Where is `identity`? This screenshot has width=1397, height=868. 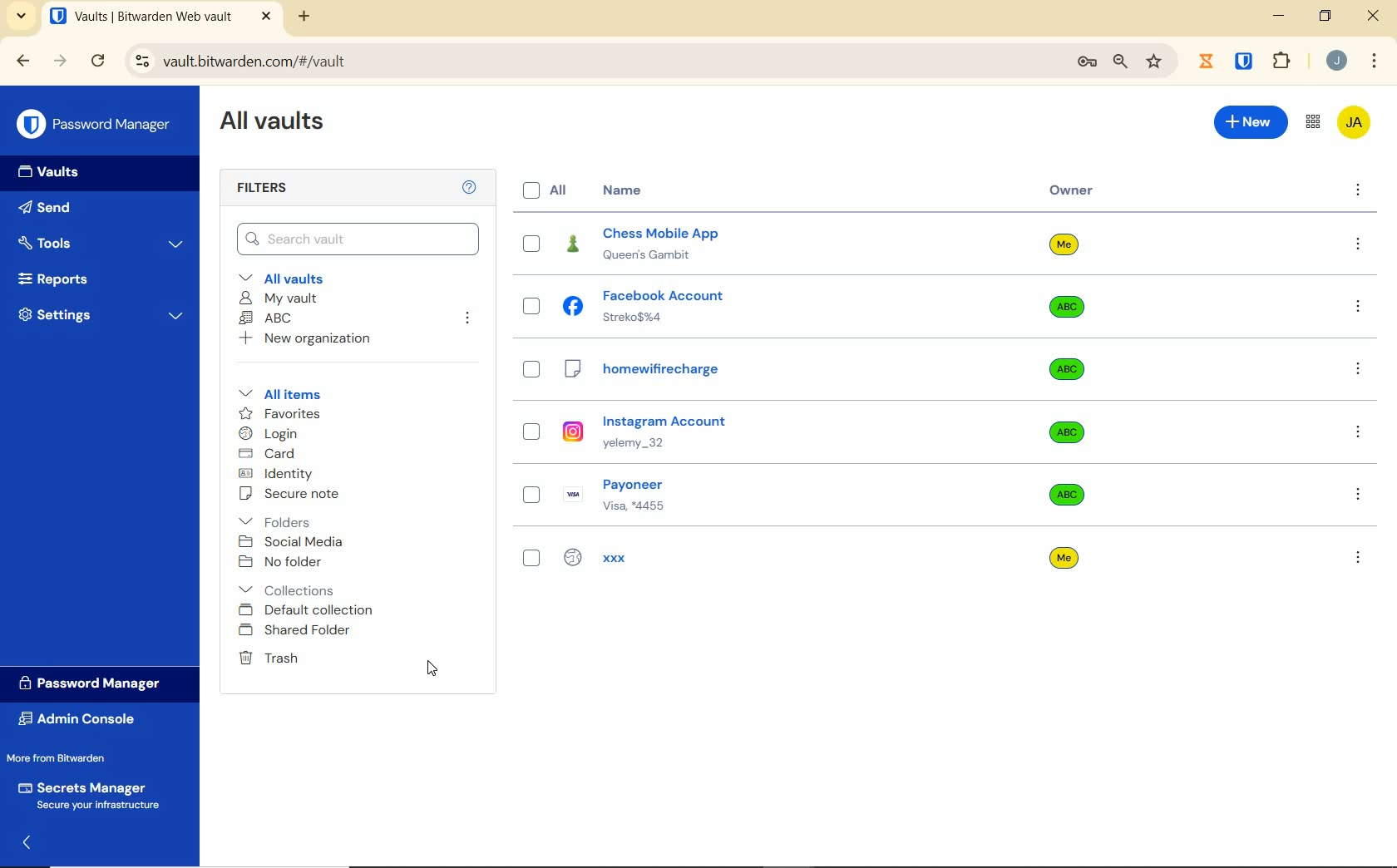 identity is located at coordinates (286, 474).